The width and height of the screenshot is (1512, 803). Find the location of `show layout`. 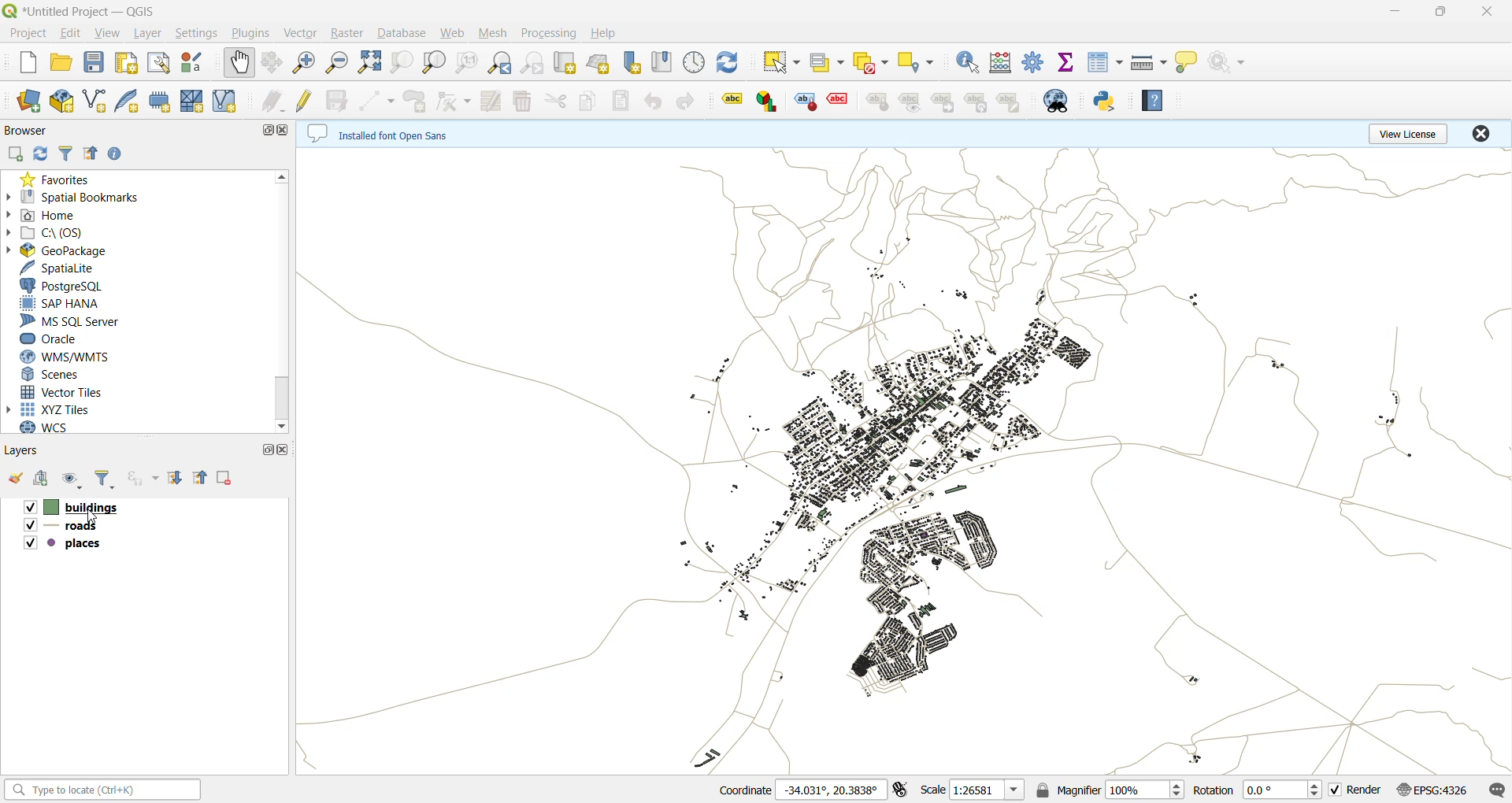

show layout is located at coordinates (159, 65).